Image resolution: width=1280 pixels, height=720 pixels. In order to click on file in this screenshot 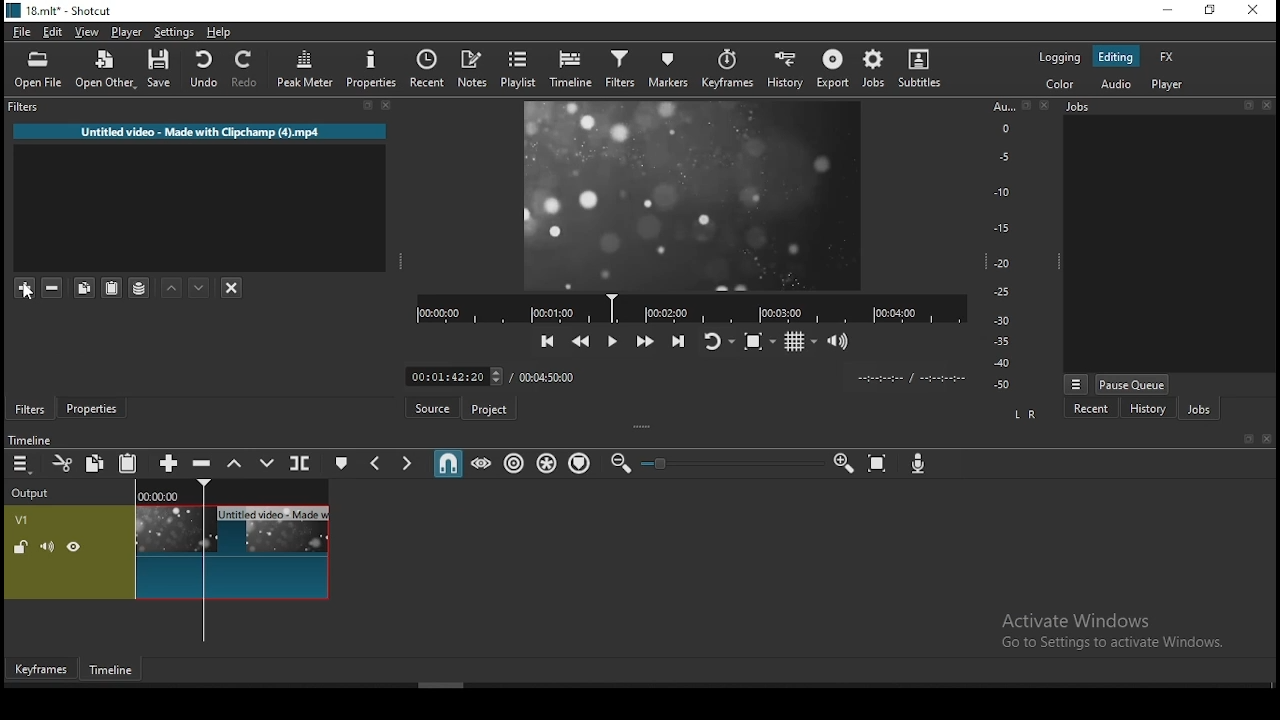, I will do `click(22, 33)`.